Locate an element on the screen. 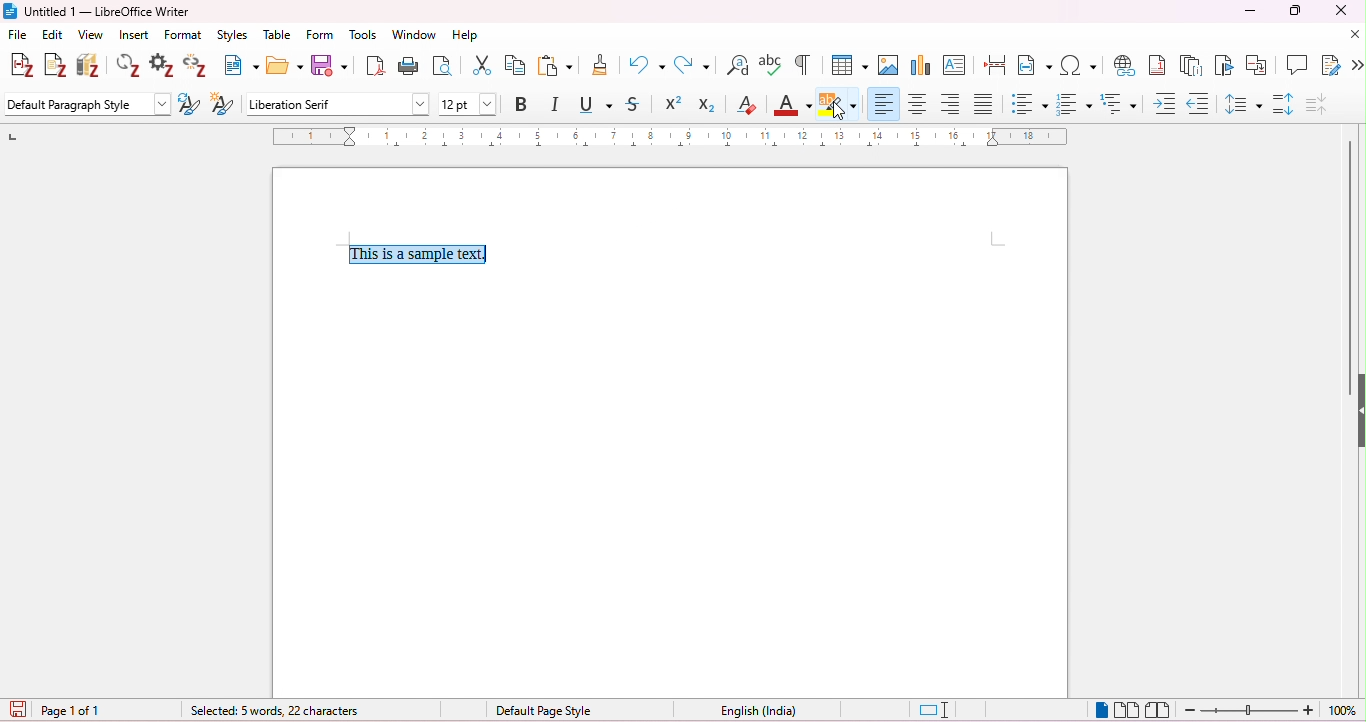 This screenshot has width=1366, height=722. subscript is located at coordinates (707, 105).